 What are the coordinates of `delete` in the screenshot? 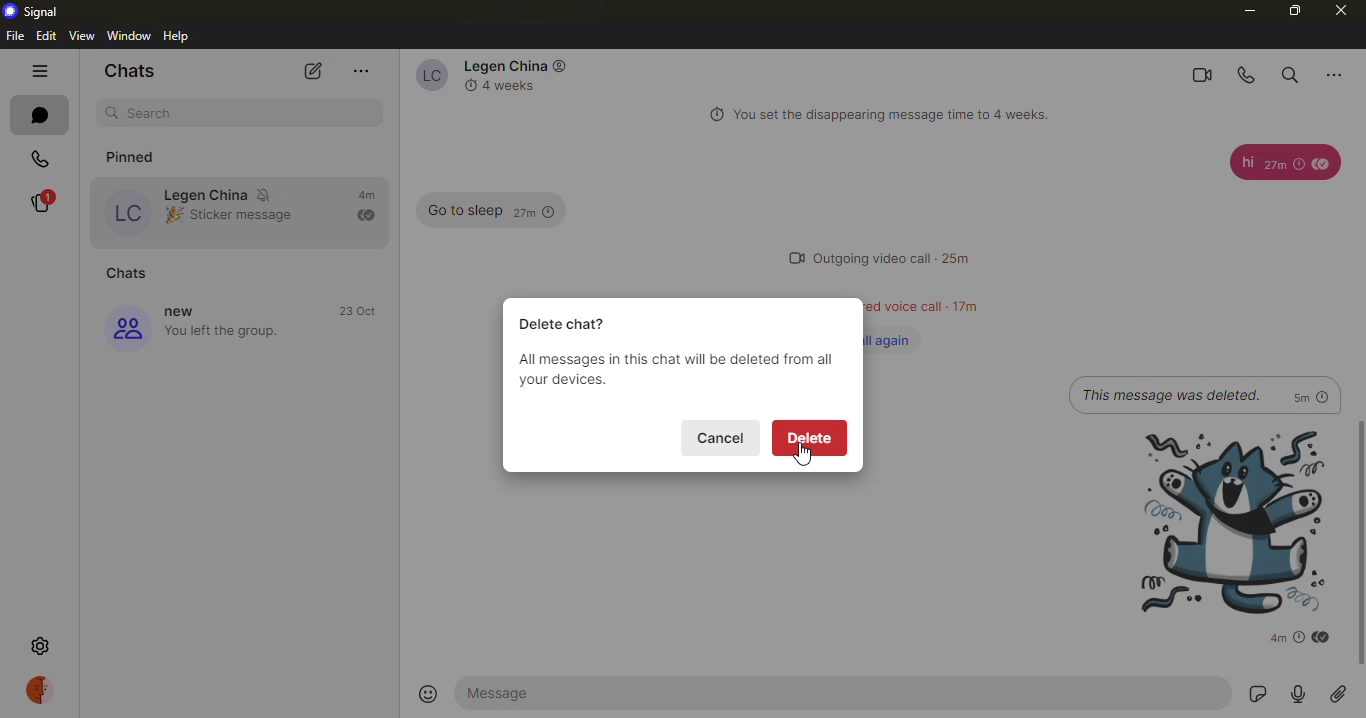 It's located at (810, 436).